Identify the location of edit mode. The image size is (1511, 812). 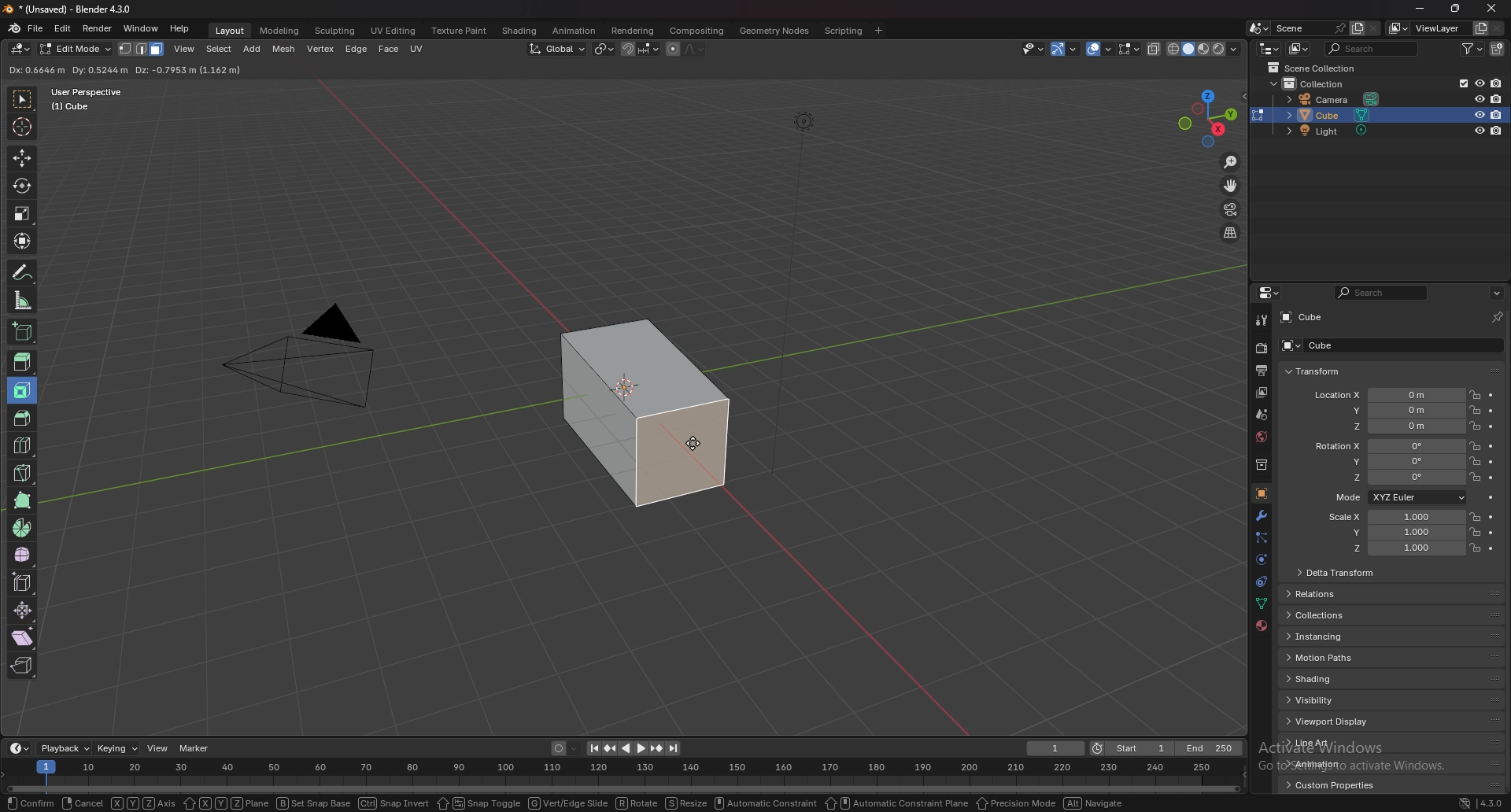
(76, 49).